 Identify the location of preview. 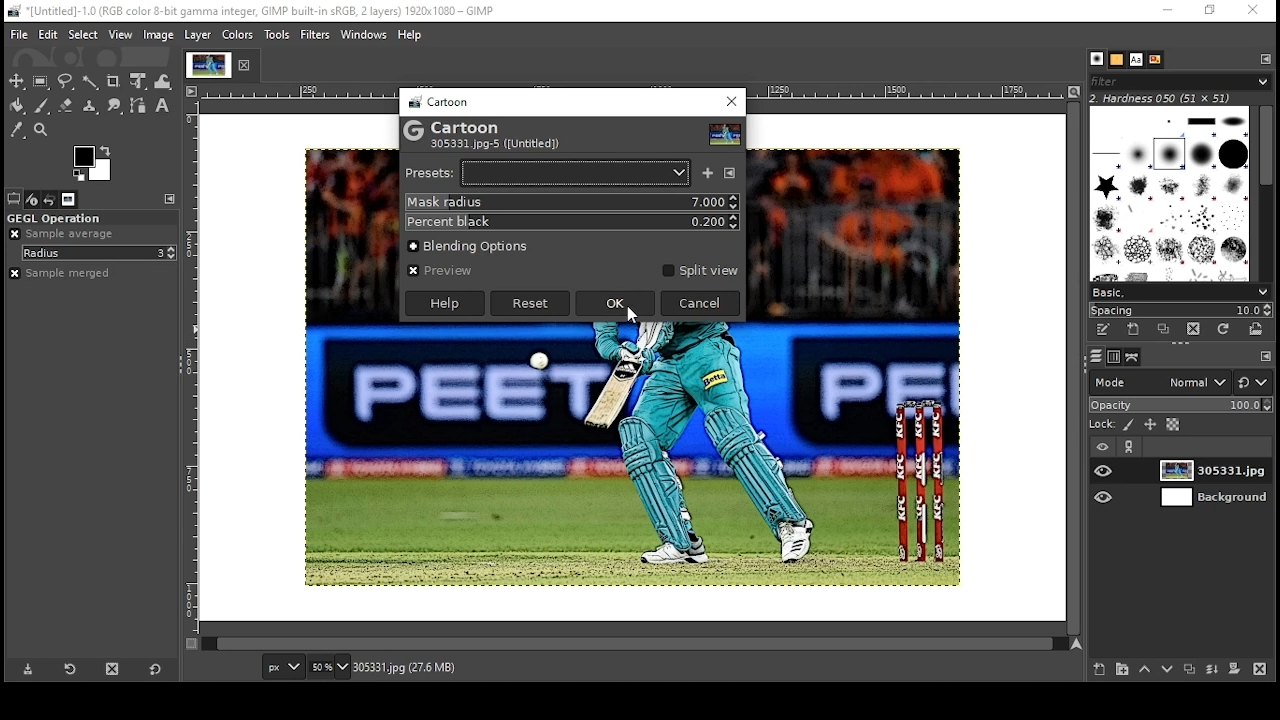
(439, 271).